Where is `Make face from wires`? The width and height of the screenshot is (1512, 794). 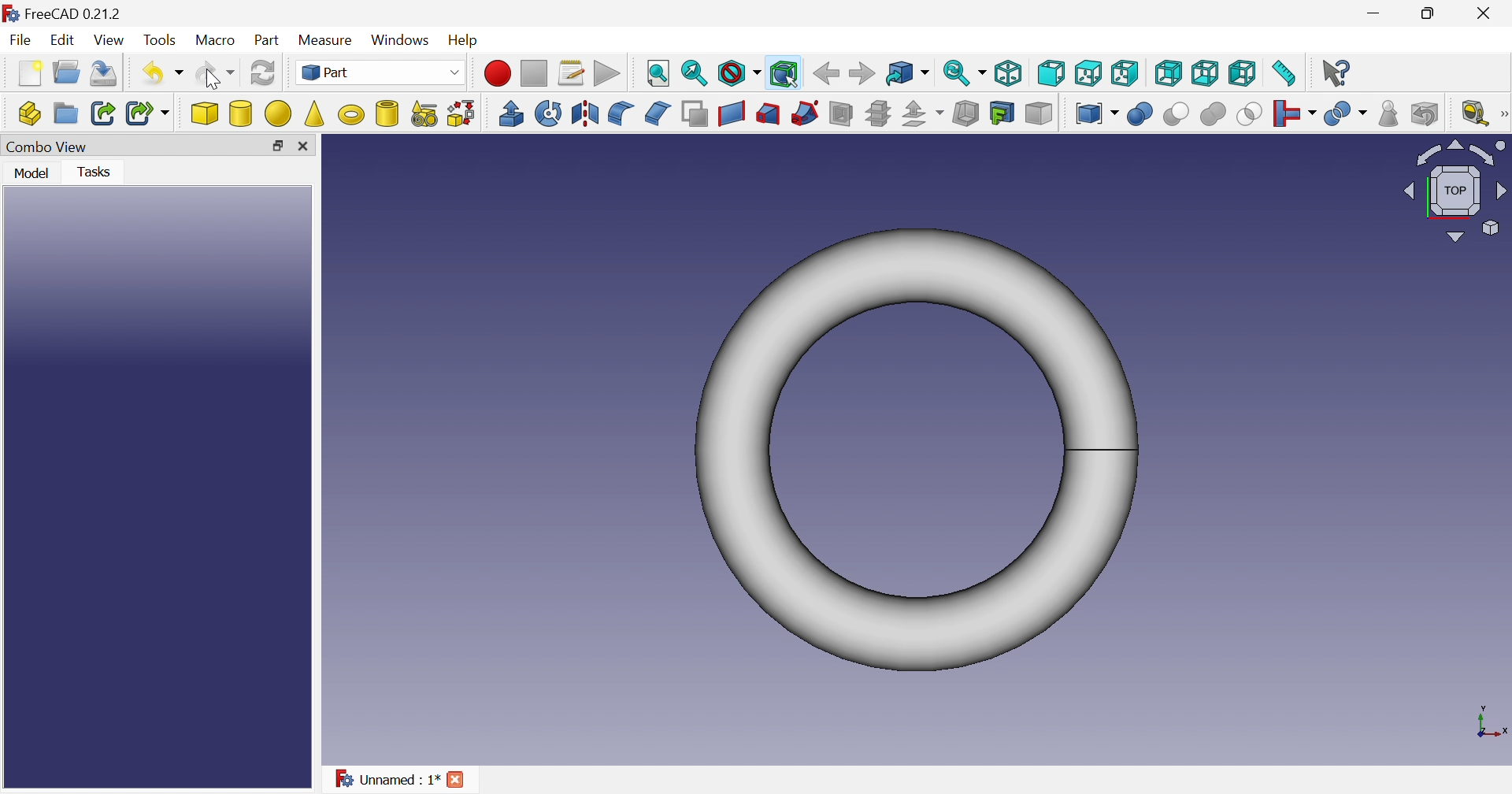
Make face from wires is located at coordinates (695, 115).